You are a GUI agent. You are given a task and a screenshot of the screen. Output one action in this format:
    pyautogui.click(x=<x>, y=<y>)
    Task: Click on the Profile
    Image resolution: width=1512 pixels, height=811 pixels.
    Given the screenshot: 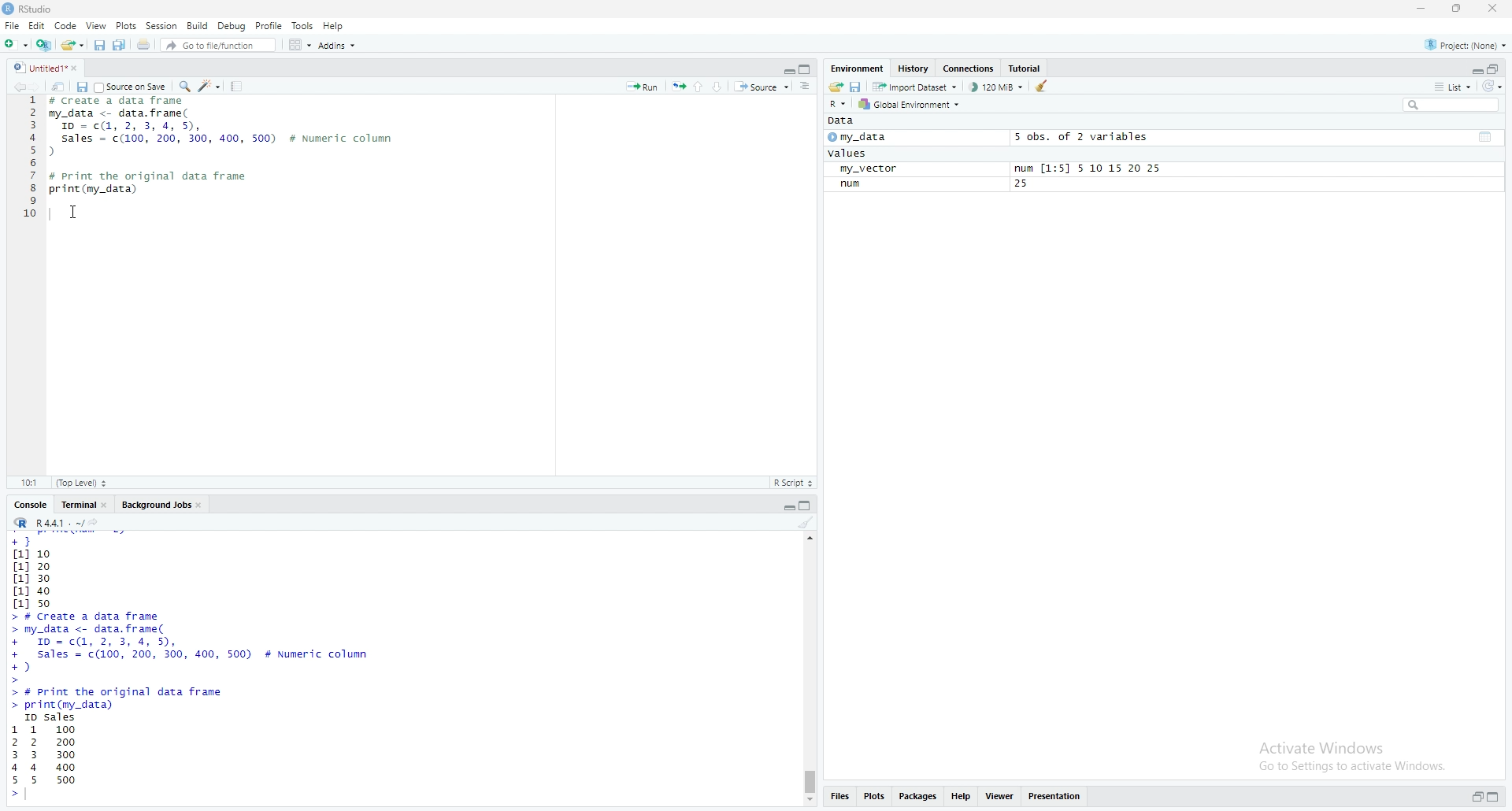 What is the action you would take?
    pyautogui.click(x=269, y=25)
    